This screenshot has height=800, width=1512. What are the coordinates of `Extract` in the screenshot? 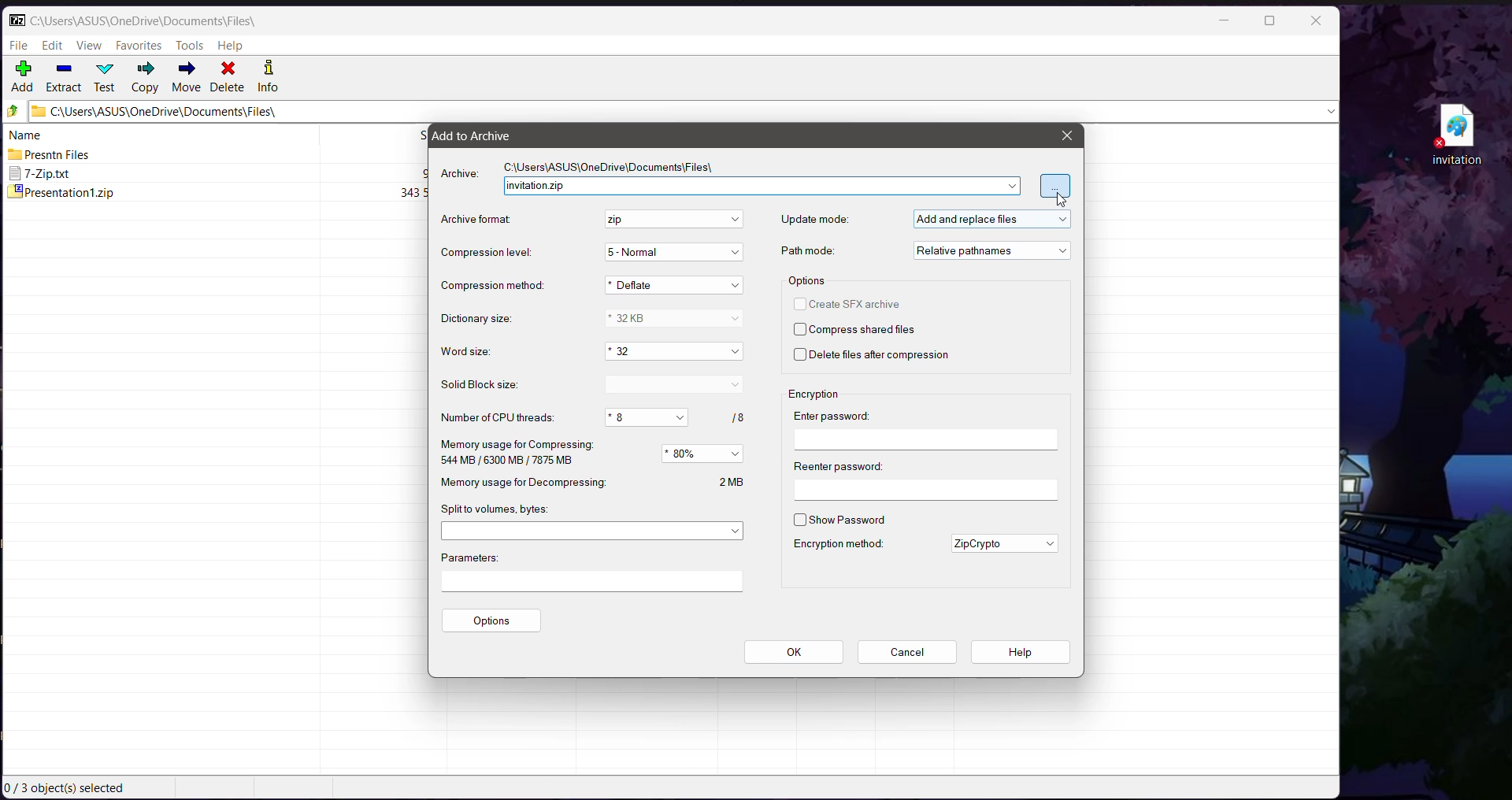 It's located at (64, 78).